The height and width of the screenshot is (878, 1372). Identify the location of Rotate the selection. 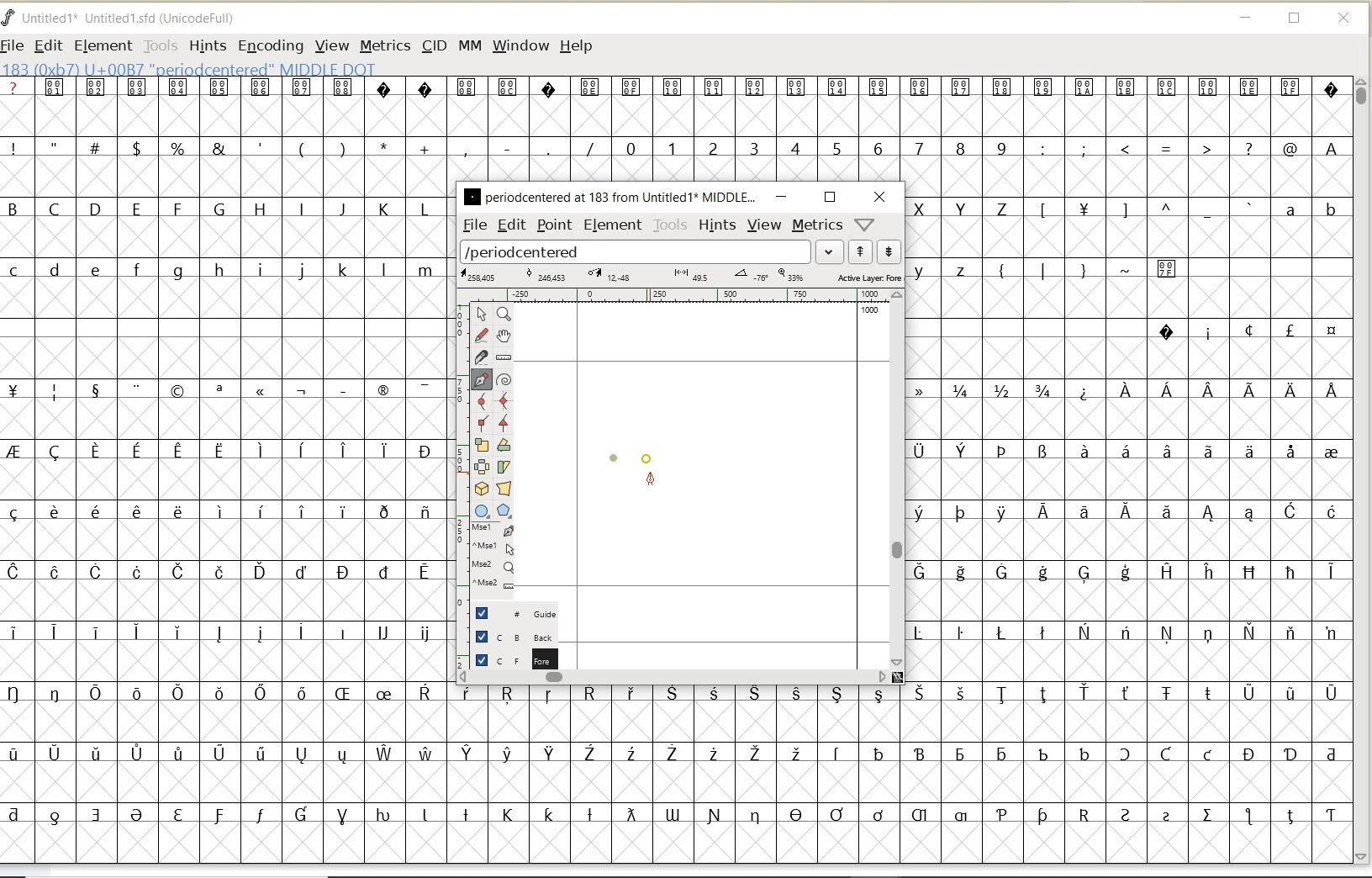
(504, 445).